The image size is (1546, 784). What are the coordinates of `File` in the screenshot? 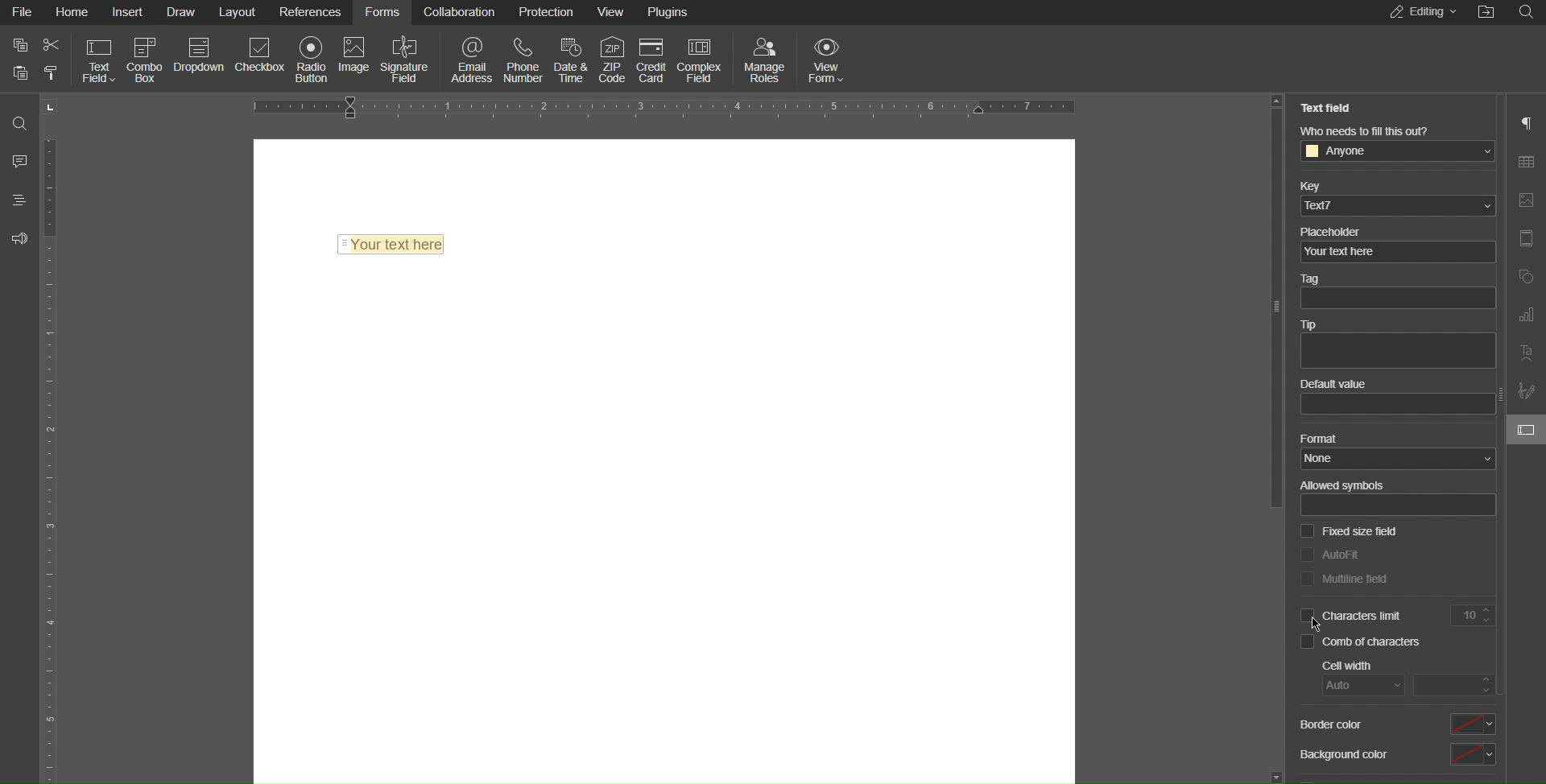 It's located at (20, 12).